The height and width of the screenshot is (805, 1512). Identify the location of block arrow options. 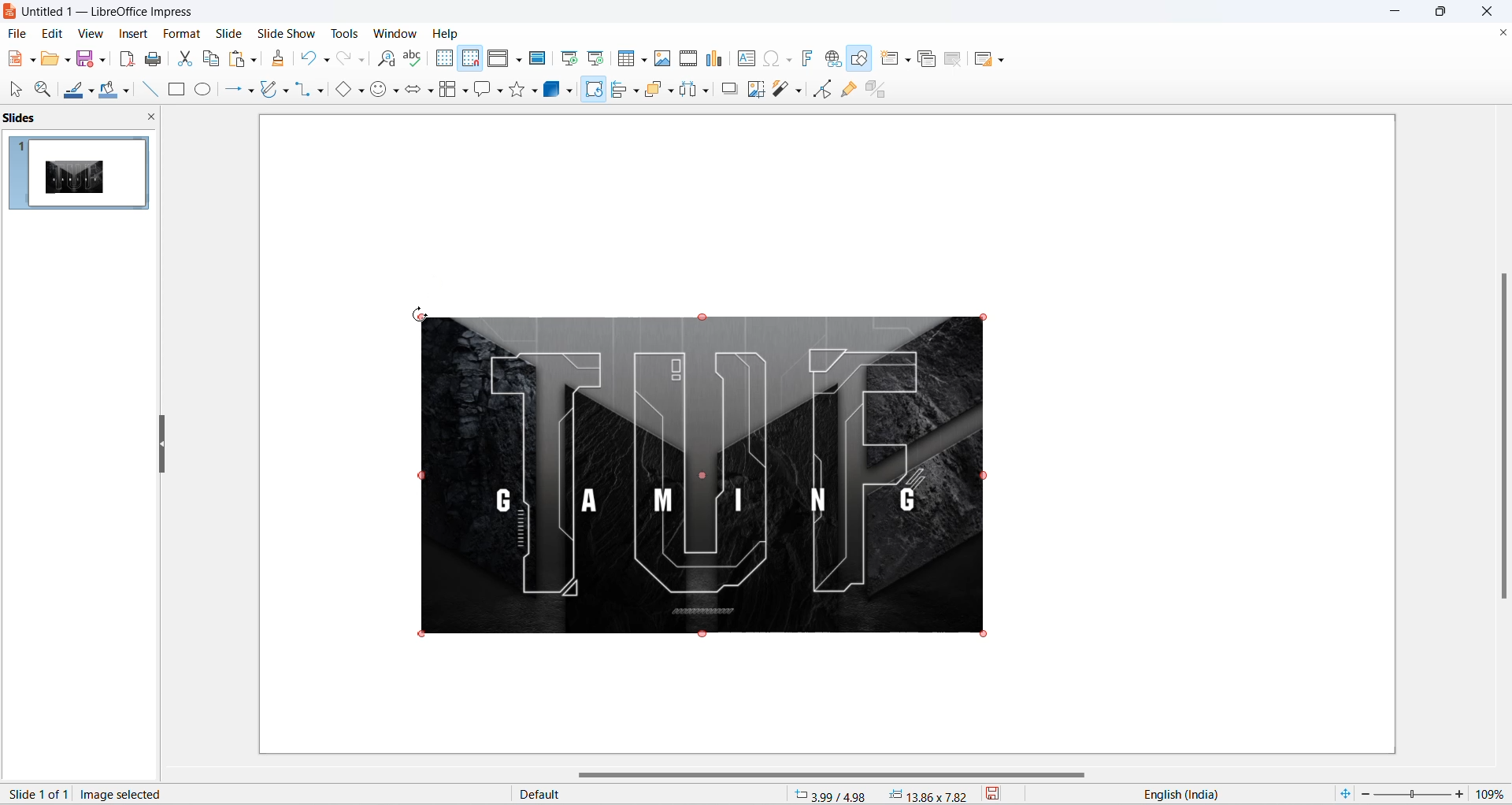
(431, 92).